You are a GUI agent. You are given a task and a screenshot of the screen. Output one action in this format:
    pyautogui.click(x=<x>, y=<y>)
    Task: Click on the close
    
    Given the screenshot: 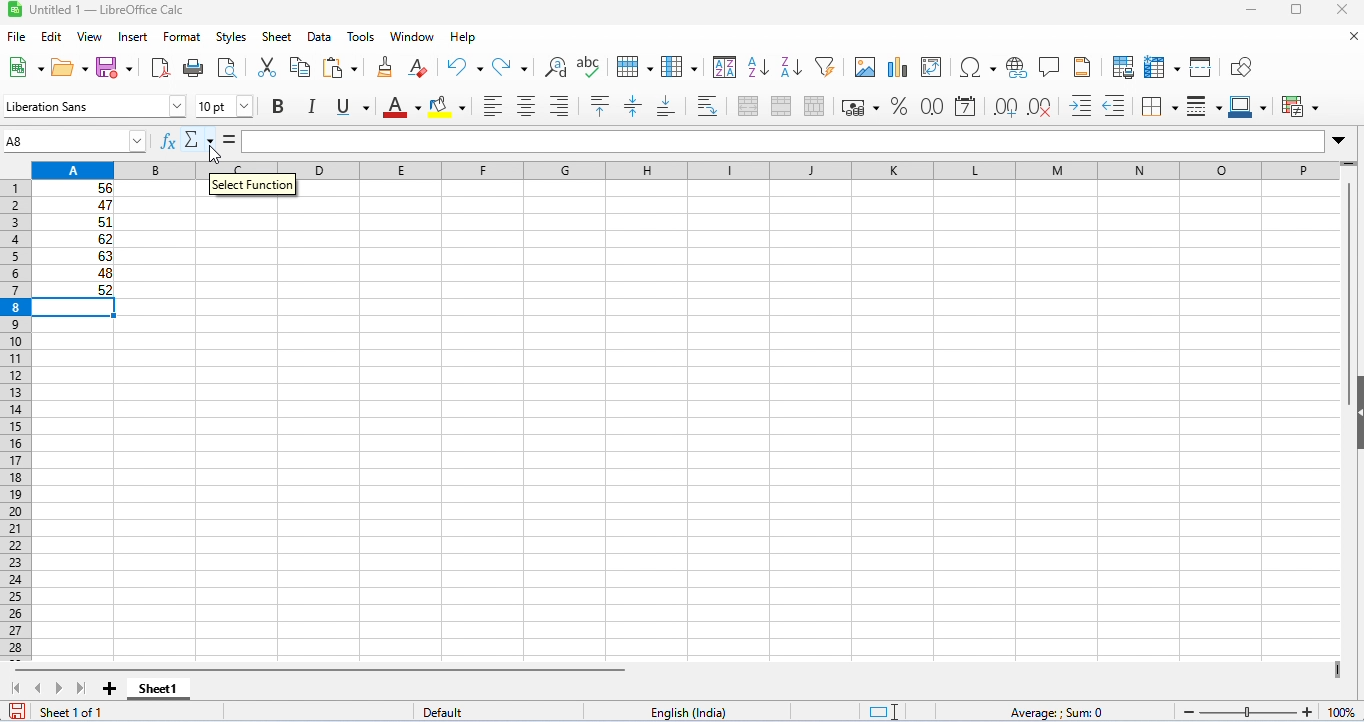 What is the action you would take?
    pyautogui.click(x=1344, y=11)
    